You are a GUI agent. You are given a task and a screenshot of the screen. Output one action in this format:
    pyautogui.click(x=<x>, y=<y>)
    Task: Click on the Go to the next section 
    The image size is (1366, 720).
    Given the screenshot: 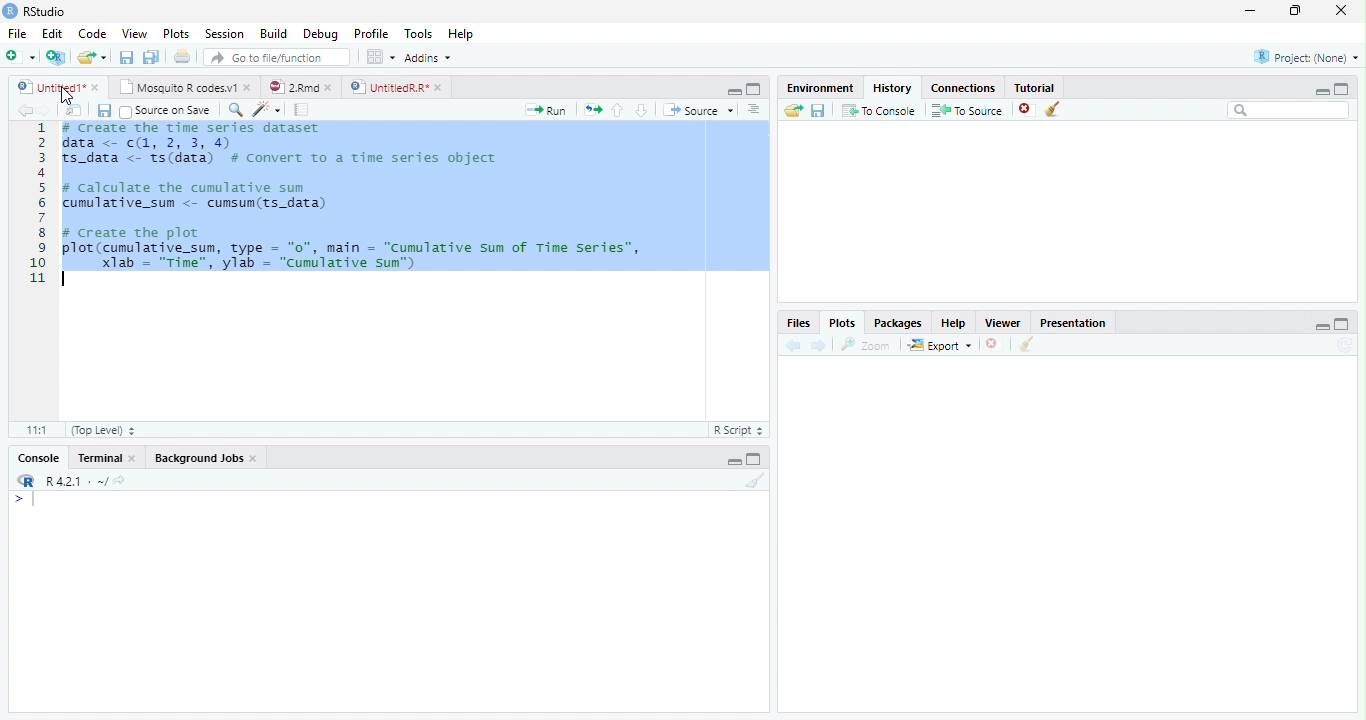 What is the action you would take?
    pyautogui.click(x=642, y=112)
    